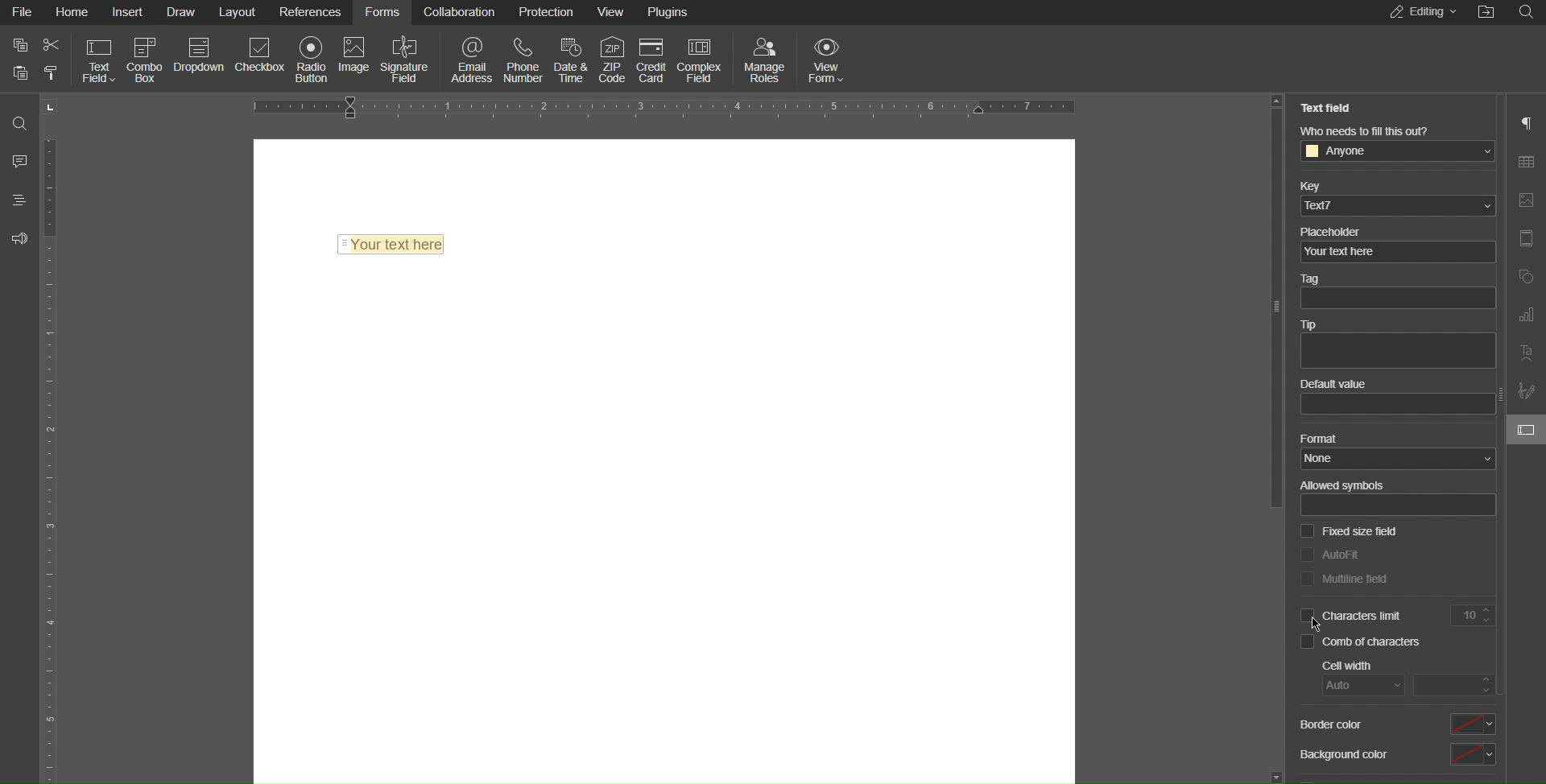  What do you see at coordinates (610, 56) in the screenshot?
I see `ZIP Code` at bounding box center [610, 56].